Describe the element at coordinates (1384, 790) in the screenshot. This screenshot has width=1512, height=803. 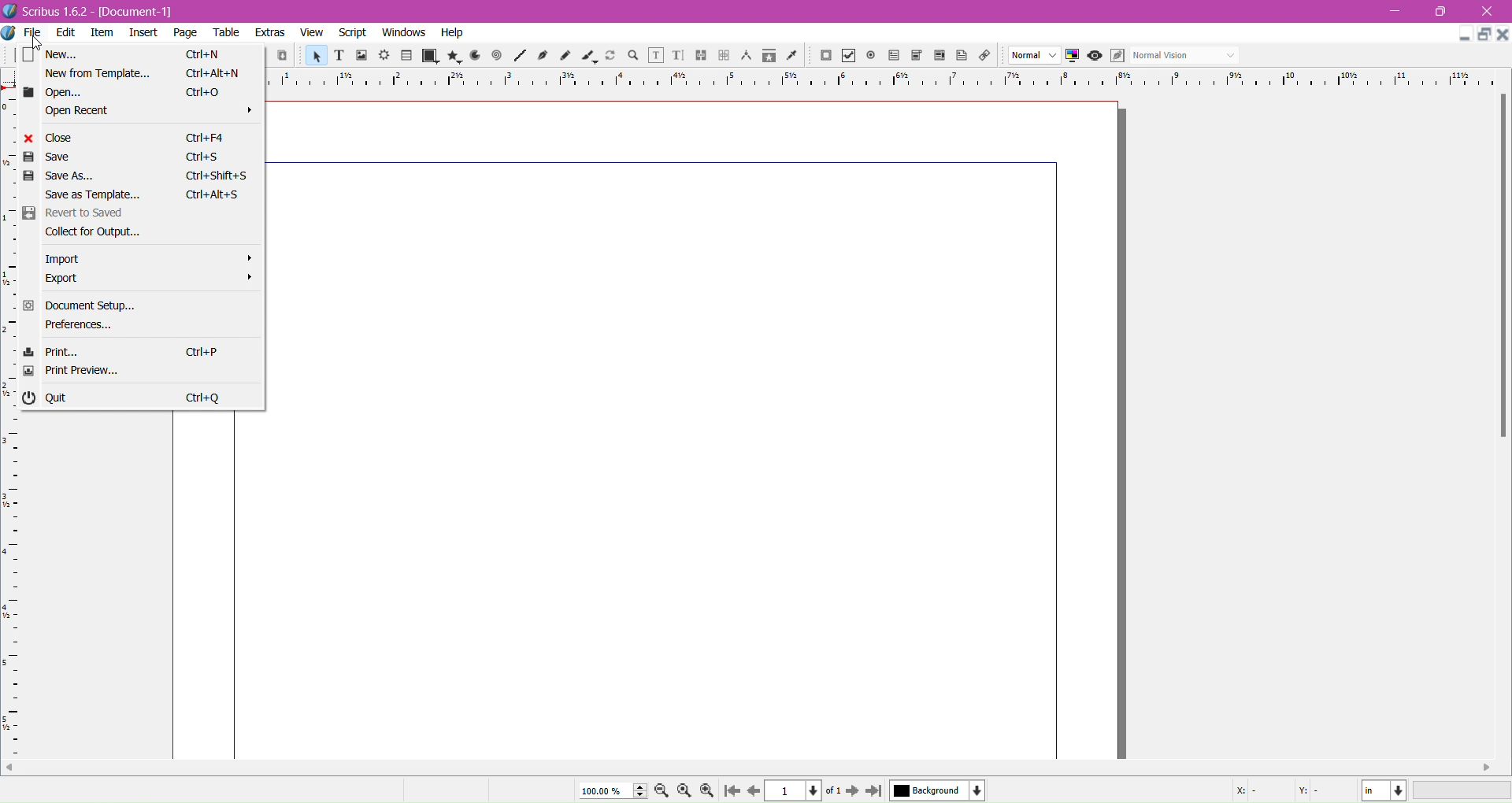
I see `Select the current unit` at that location.